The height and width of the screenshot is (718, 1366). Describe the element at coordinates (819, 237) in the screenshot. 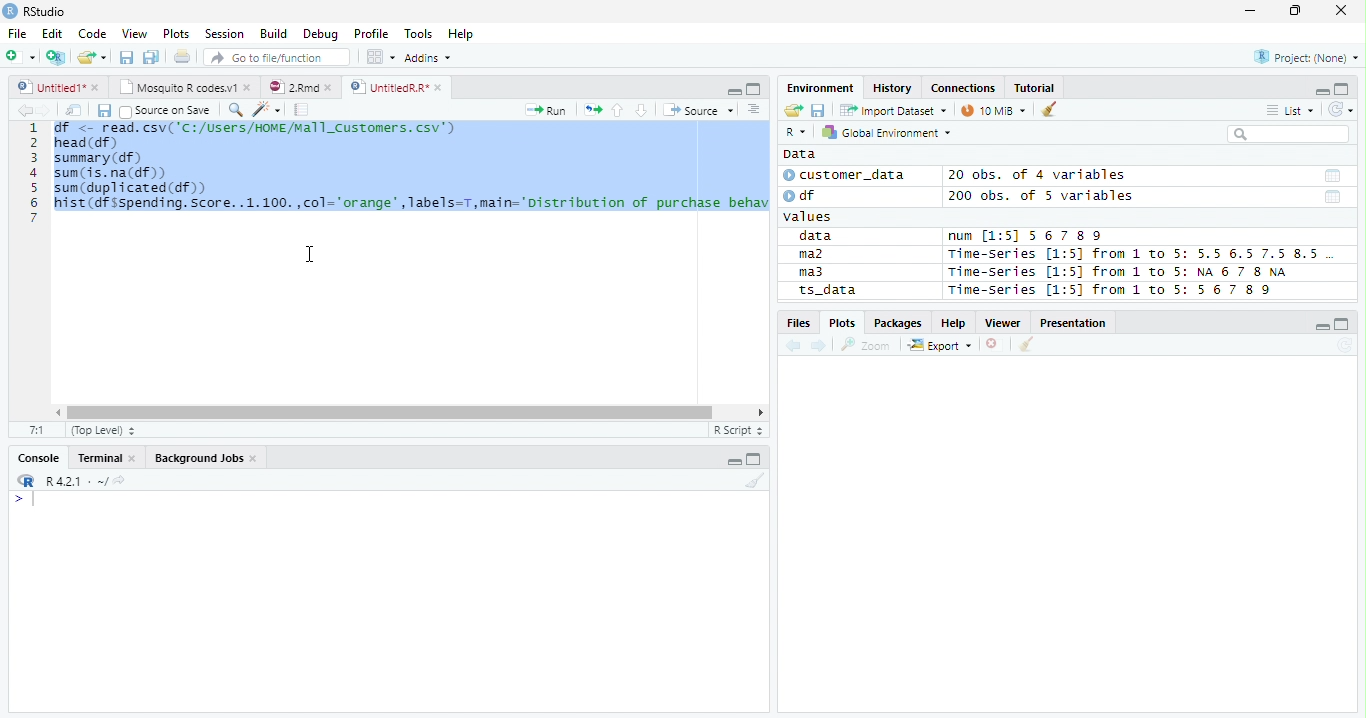

I see `data` at that location.